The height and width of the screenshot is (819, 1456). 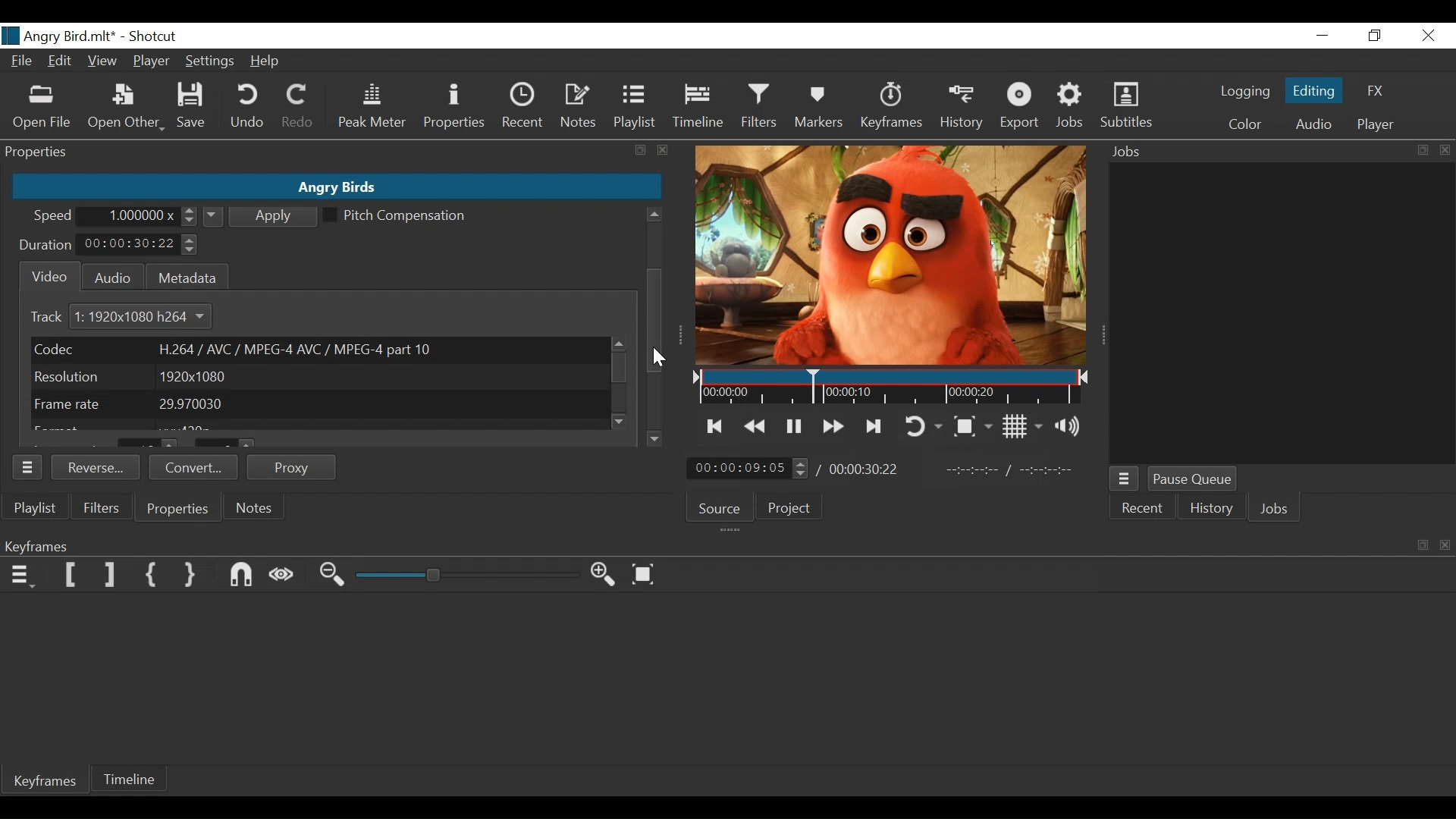 I want to click on Scrub while dragging, so click(x=283, y=576).